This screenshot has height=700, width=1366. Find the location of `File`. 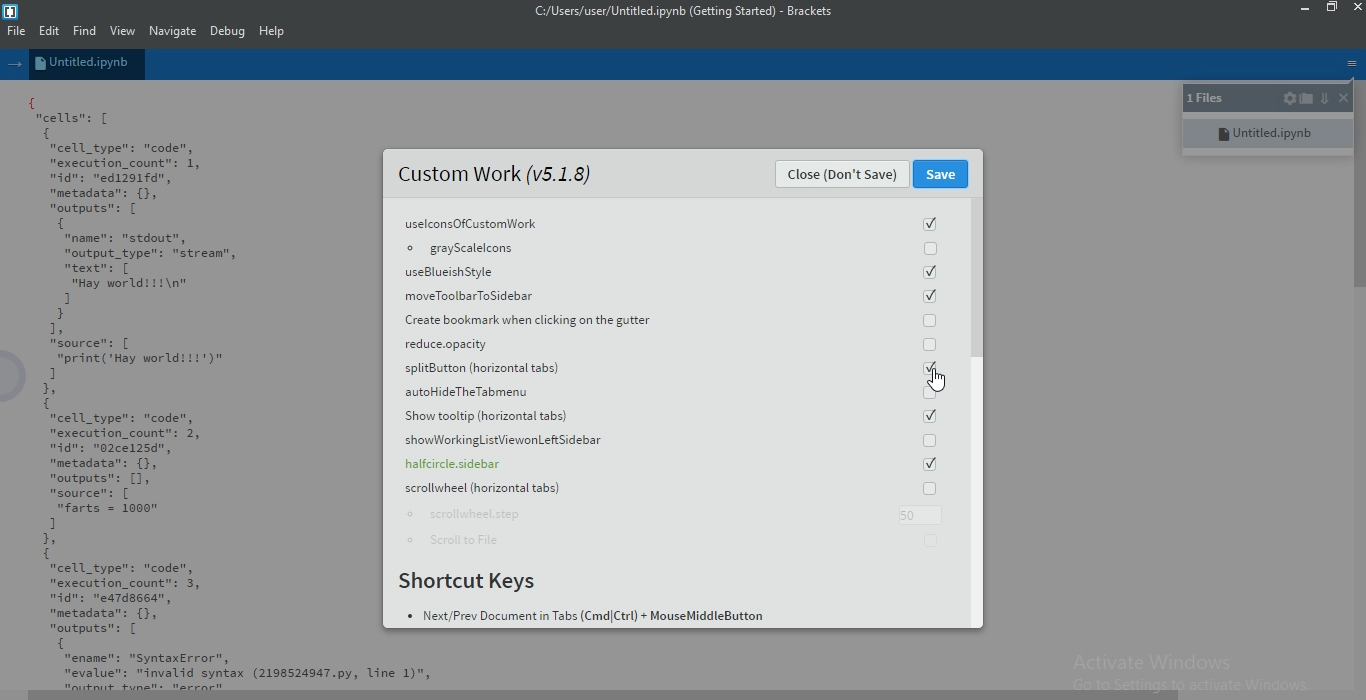

File is located at coordinates (16, 32).